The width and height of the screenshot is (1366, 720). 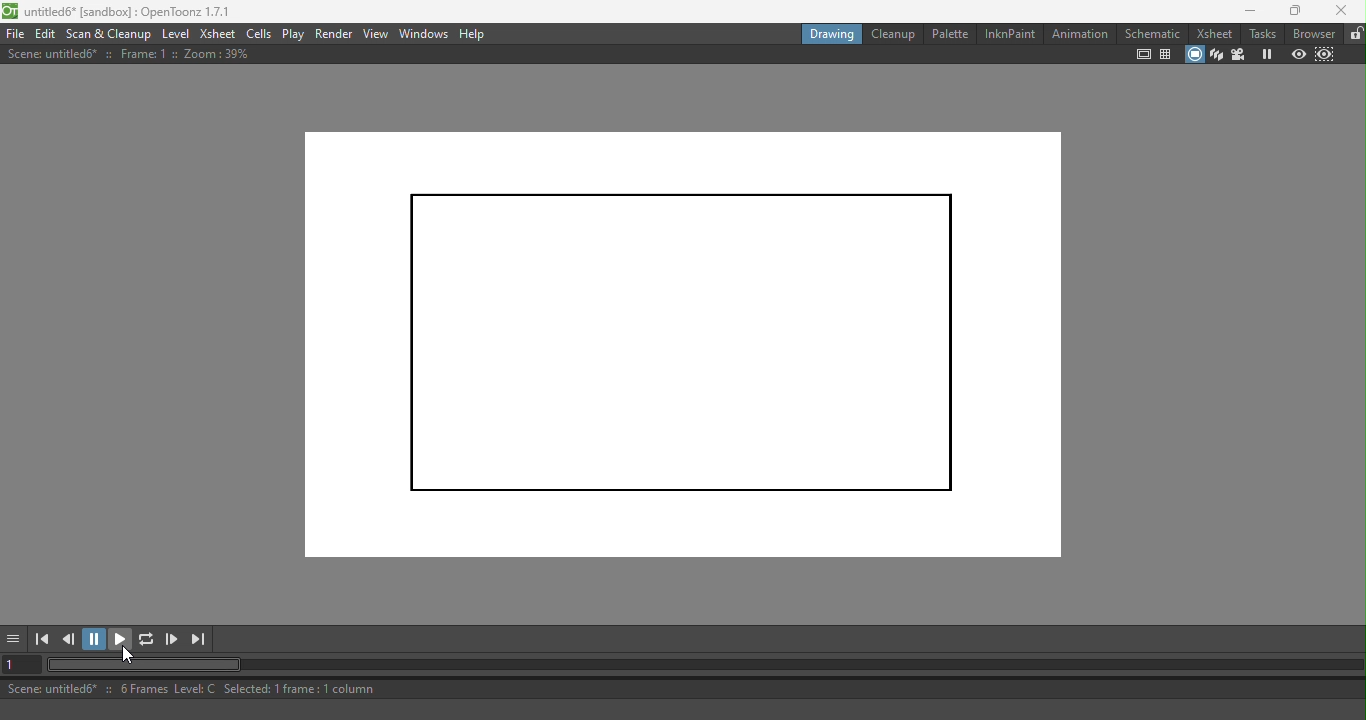 I want to click on Drawing, so click(x=831, y=34).